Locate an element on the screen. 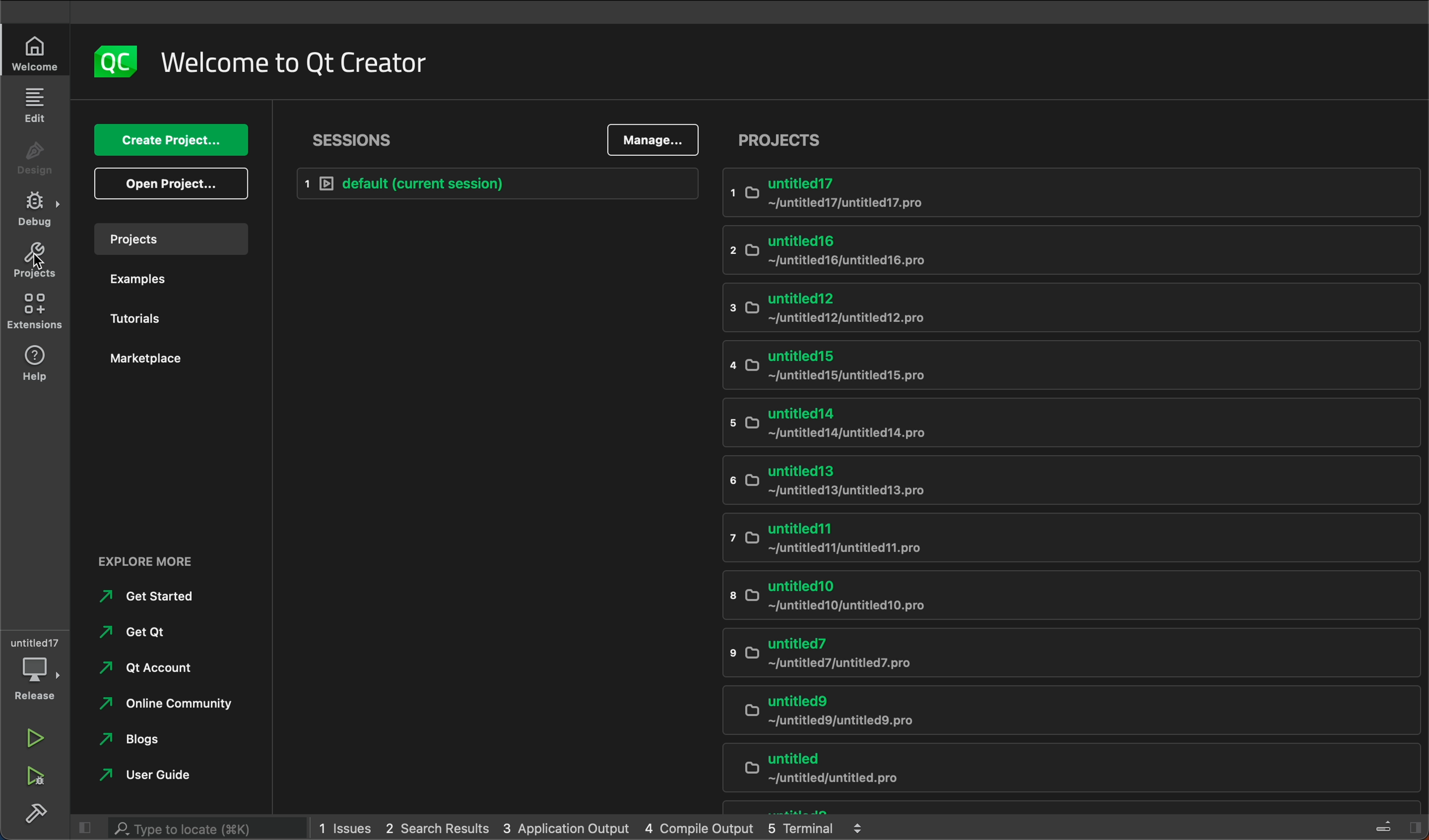 This screenshot has width=1429, height=840. run and build is located at coordinates (39, 776).